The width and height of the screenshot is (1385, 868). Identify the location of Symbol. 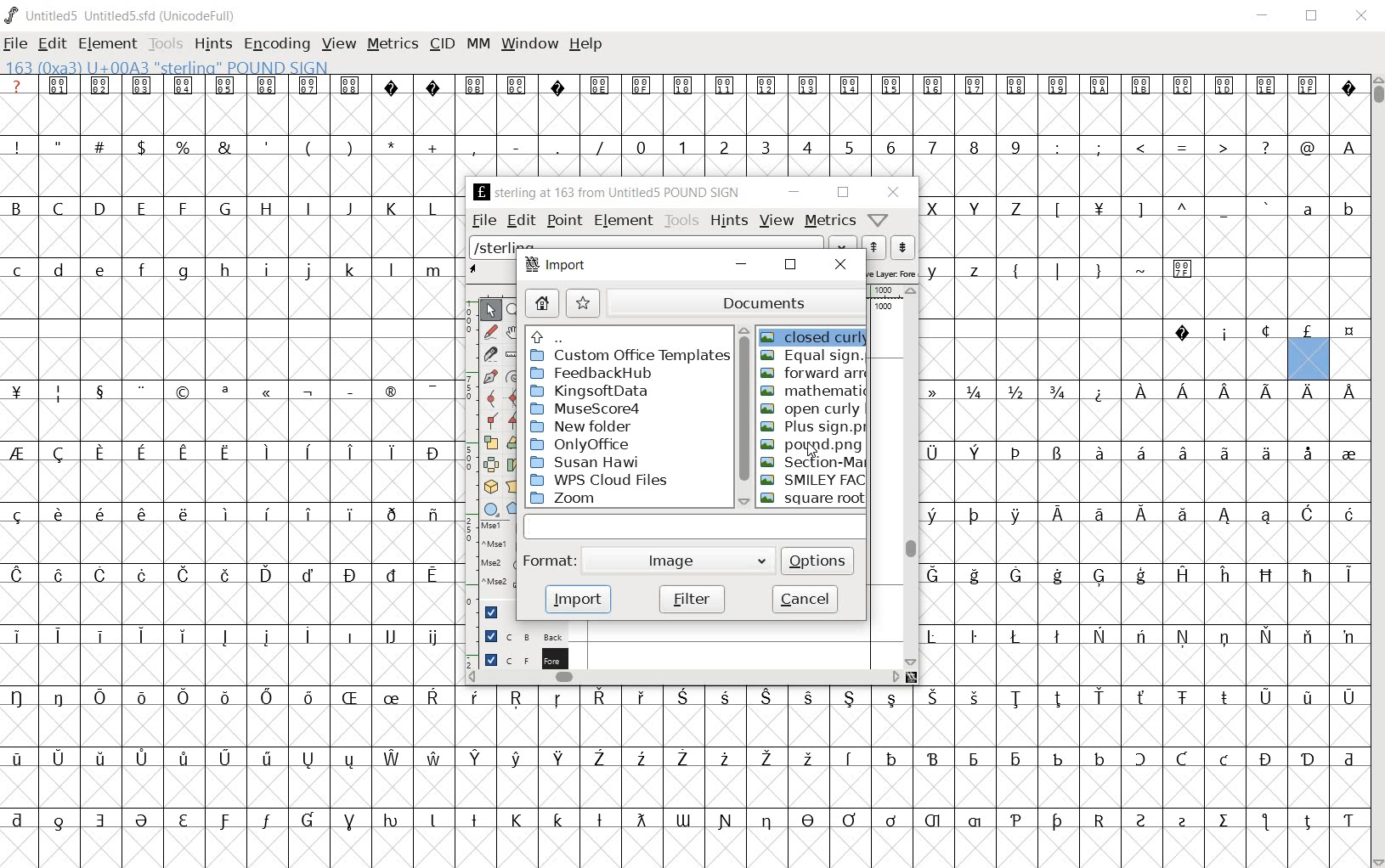
(1224, 332).